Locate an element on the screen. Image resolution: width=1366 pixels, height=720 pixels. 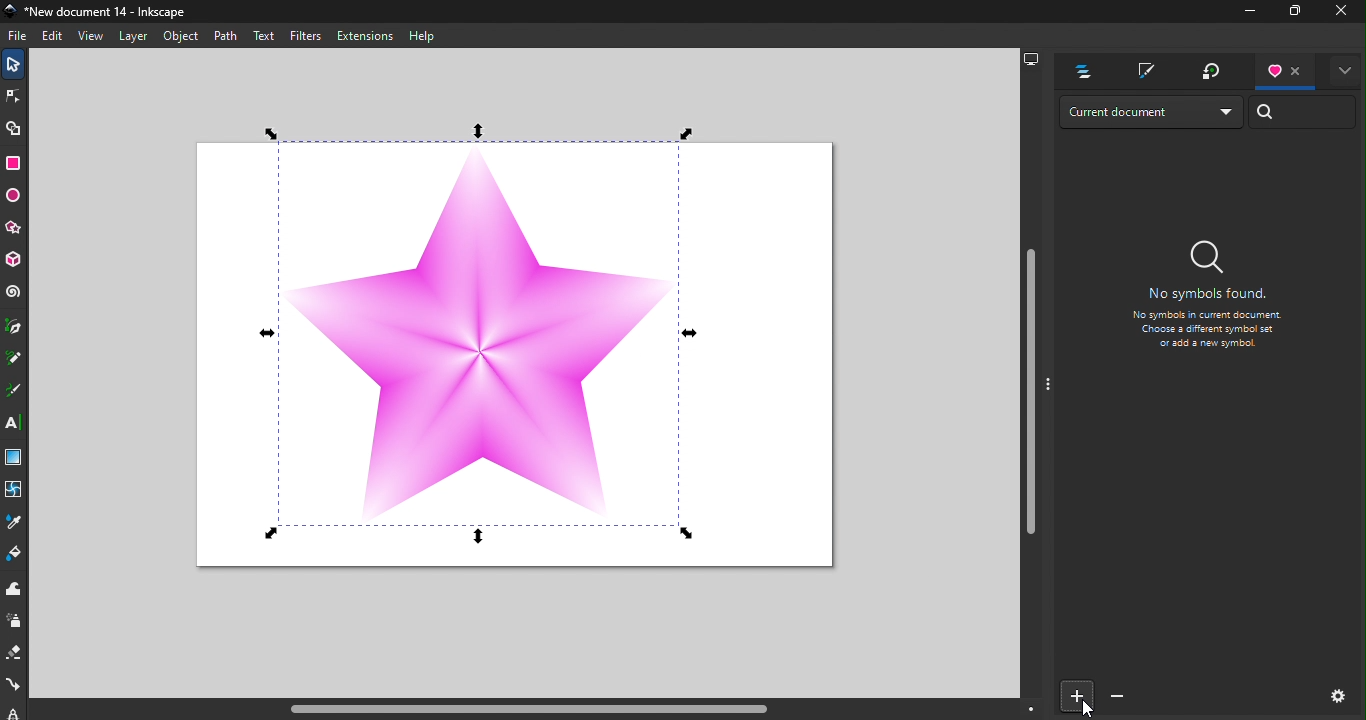
Fill and stroke is located at coordinates (1143, 73).